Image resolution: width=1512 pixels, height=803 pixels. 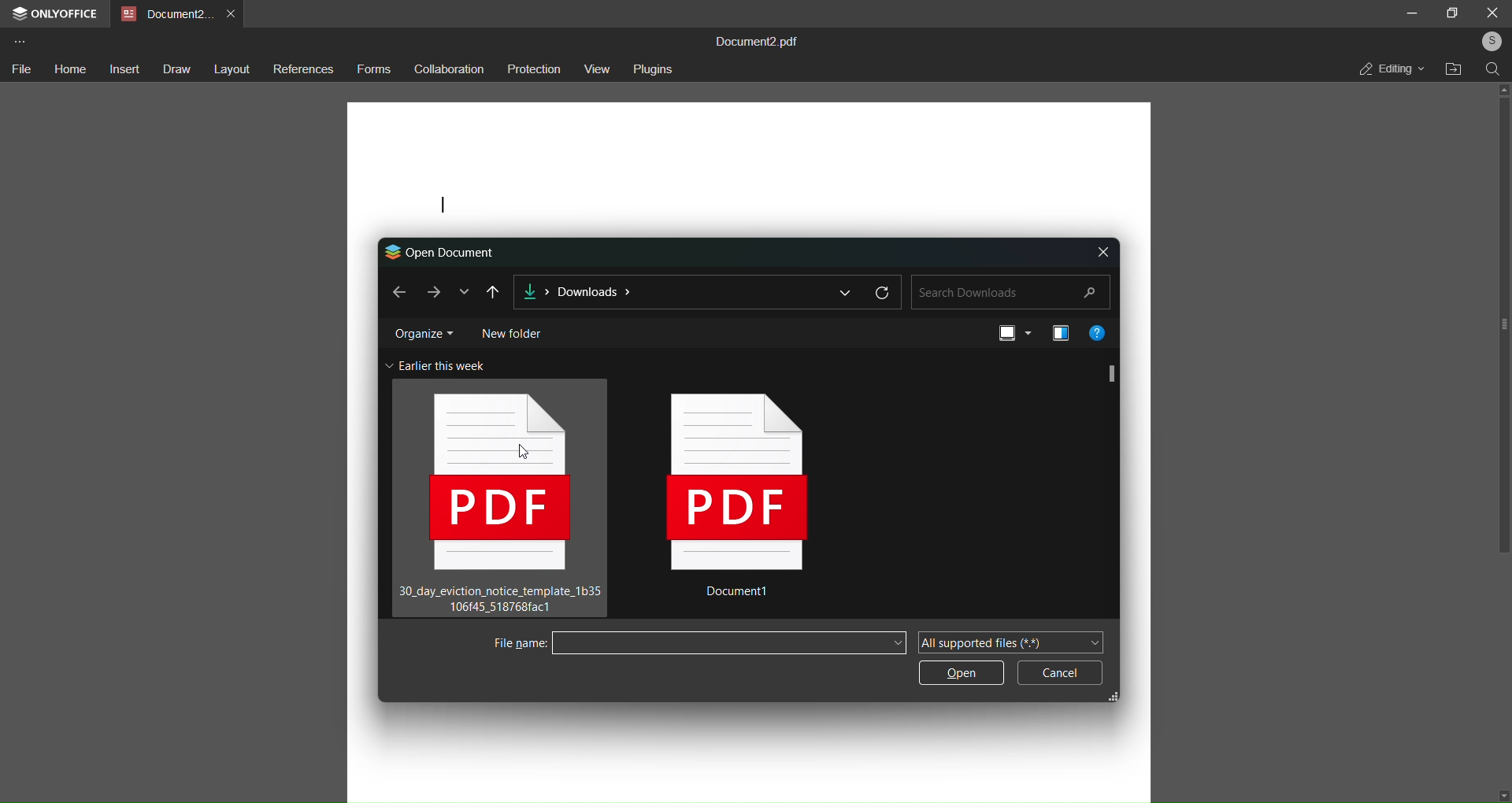 What do you see at coordinates (498, 498) in the screenshot?
I see `30 day eviction` at bounding box center [498, 498].